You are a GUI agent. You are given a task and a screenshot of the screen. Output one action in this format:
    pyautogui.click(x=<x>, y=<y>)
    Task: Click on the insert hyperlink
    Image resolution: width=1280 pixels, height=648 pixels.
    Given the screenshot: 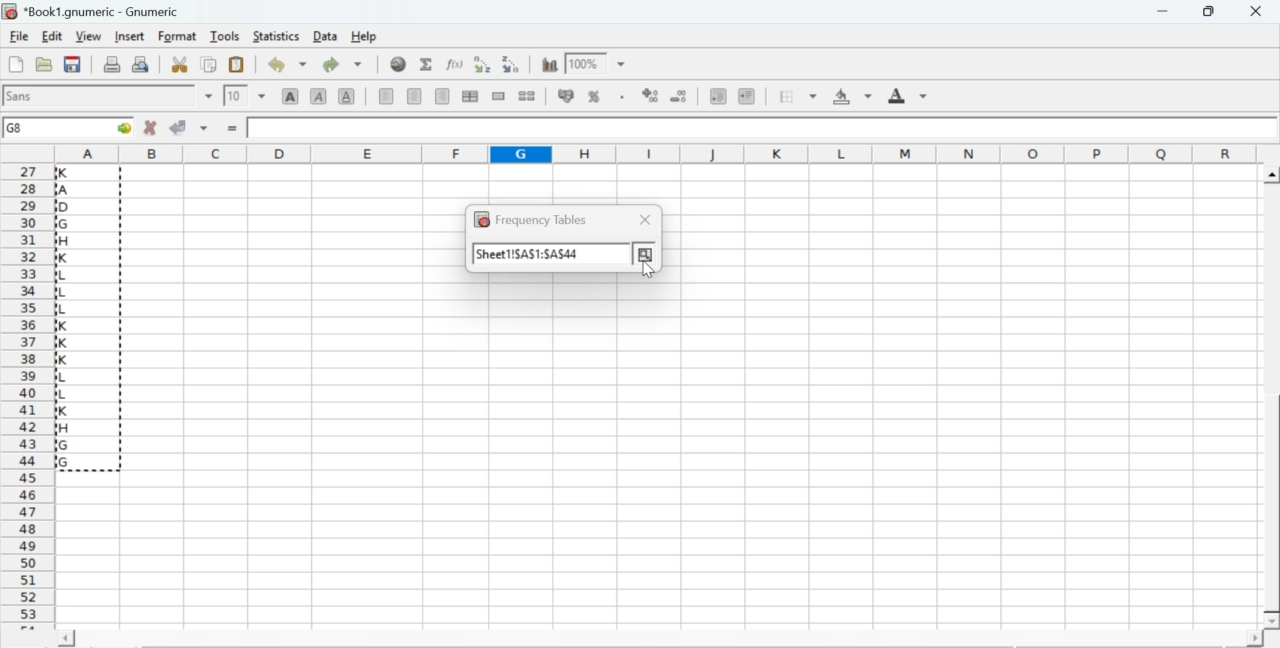 What is the action you would take?
    pyautogui.click(x=399, y=64)
    